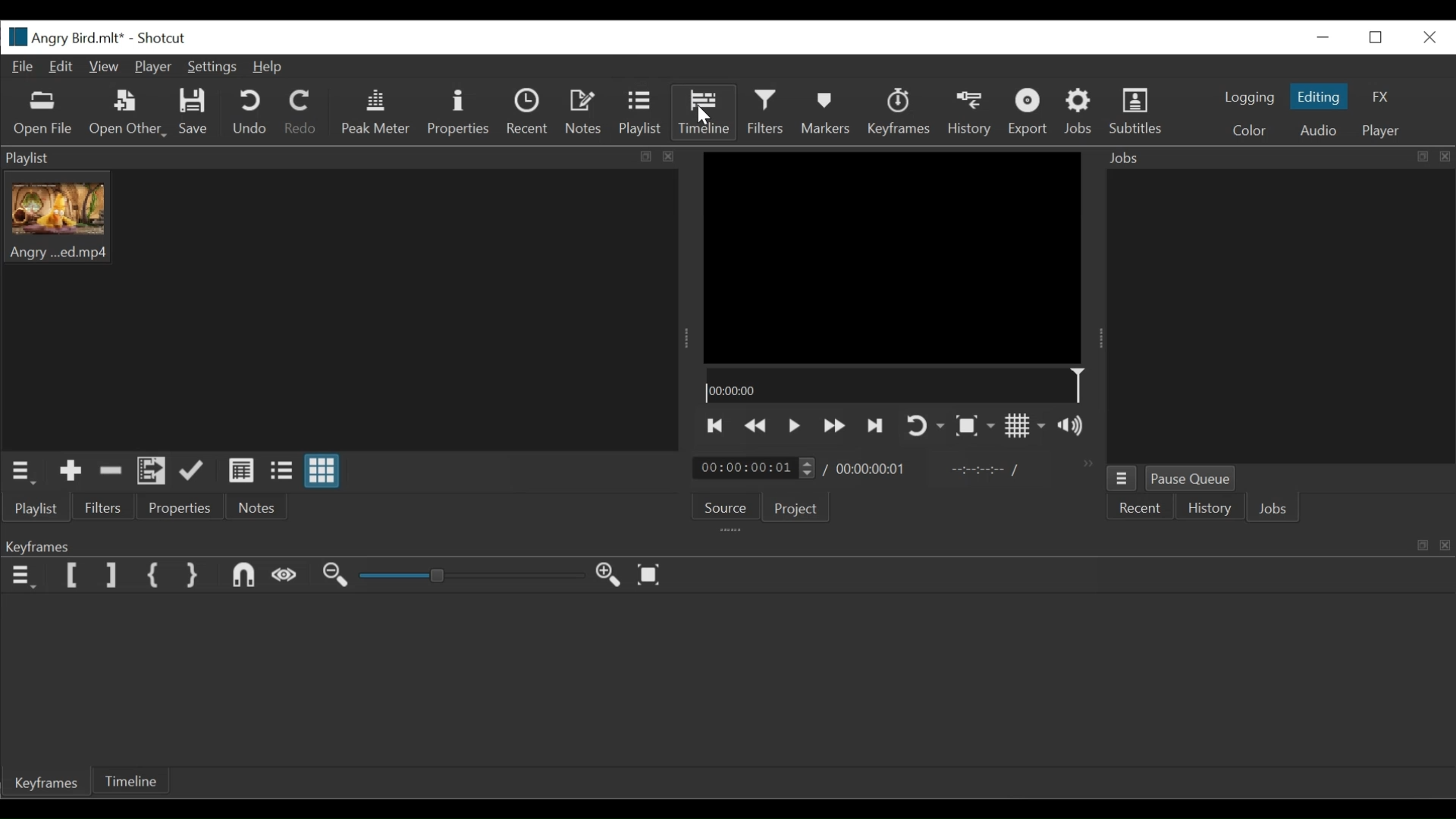  What do you see at coordinates (128, 114) in the screenshot?
I see `Open Other` at bounding box center [128, 114].